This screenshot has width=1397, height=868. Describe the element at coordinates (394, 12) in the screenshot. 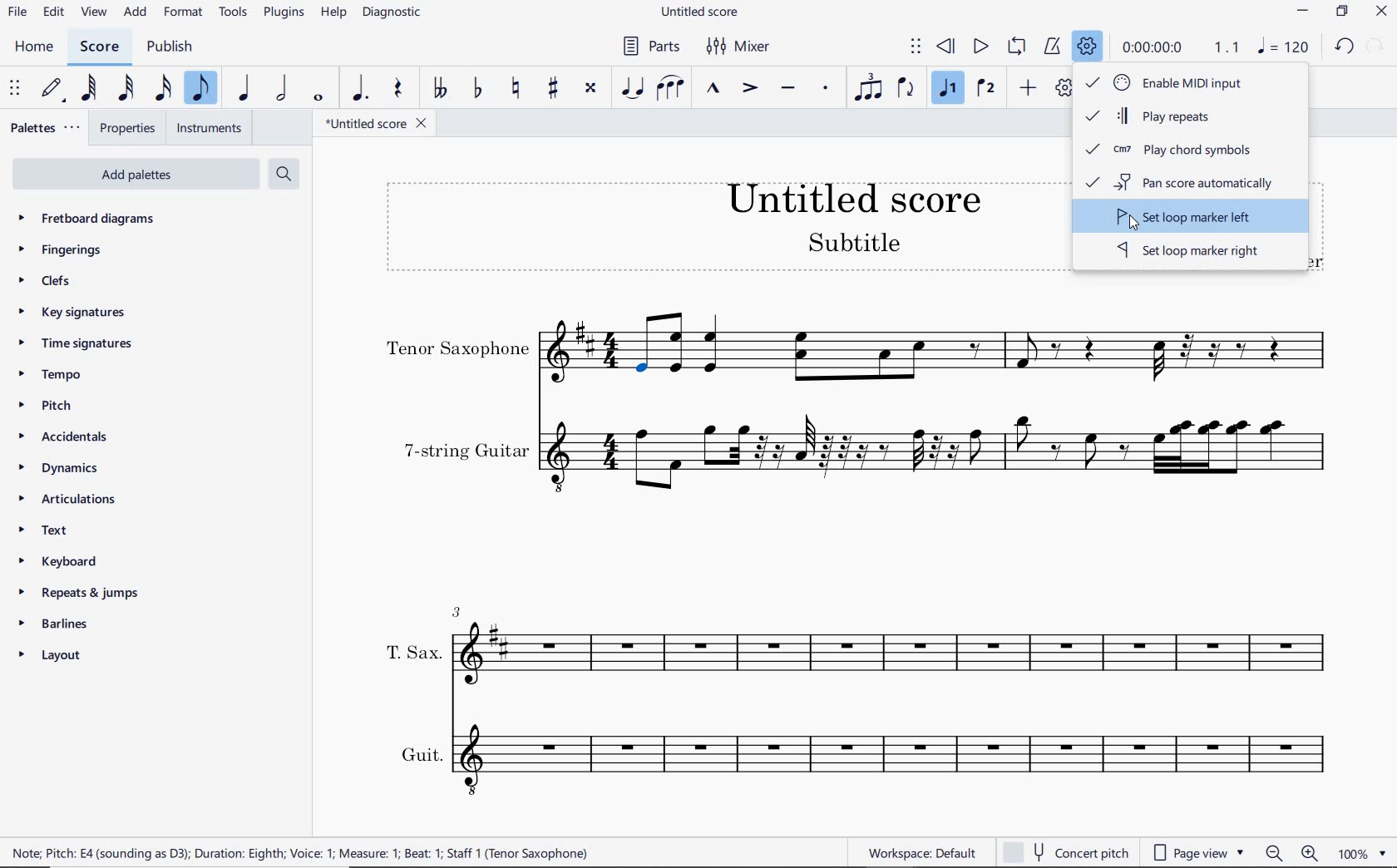

I see `DIAGNOSTIC` at that location.